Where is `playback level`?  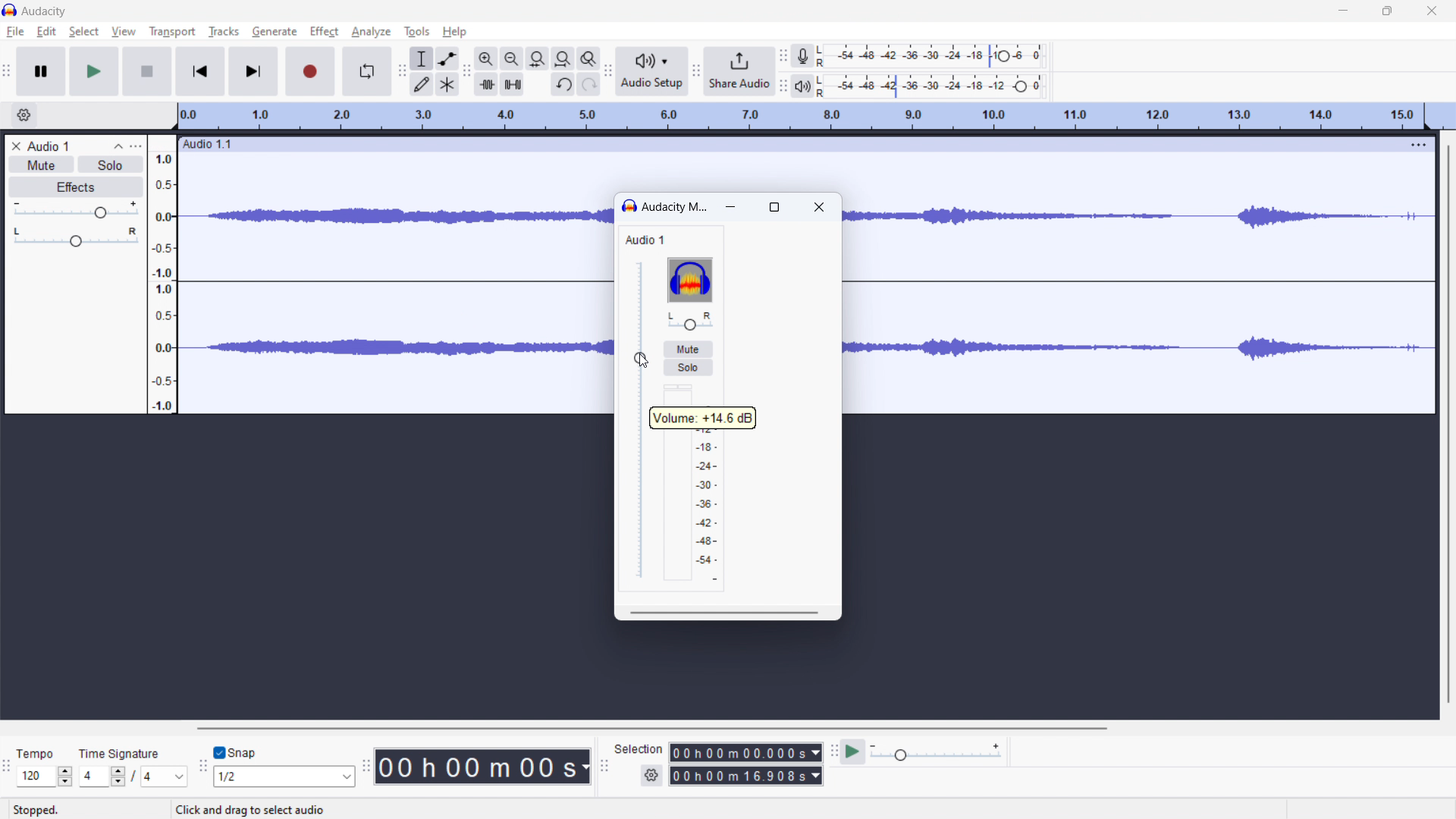 playback level is located at coordinates (937, 86).